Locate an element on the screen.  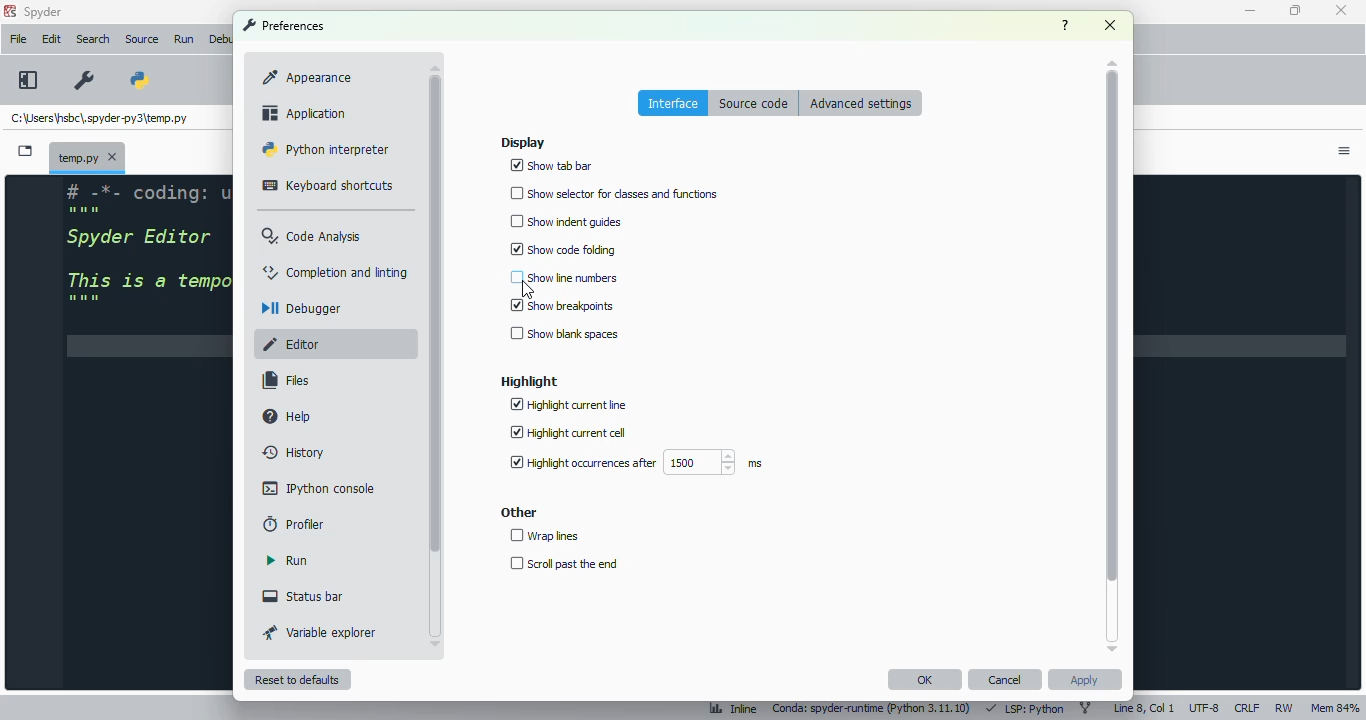
RW is located at coordinates (1285, 709).